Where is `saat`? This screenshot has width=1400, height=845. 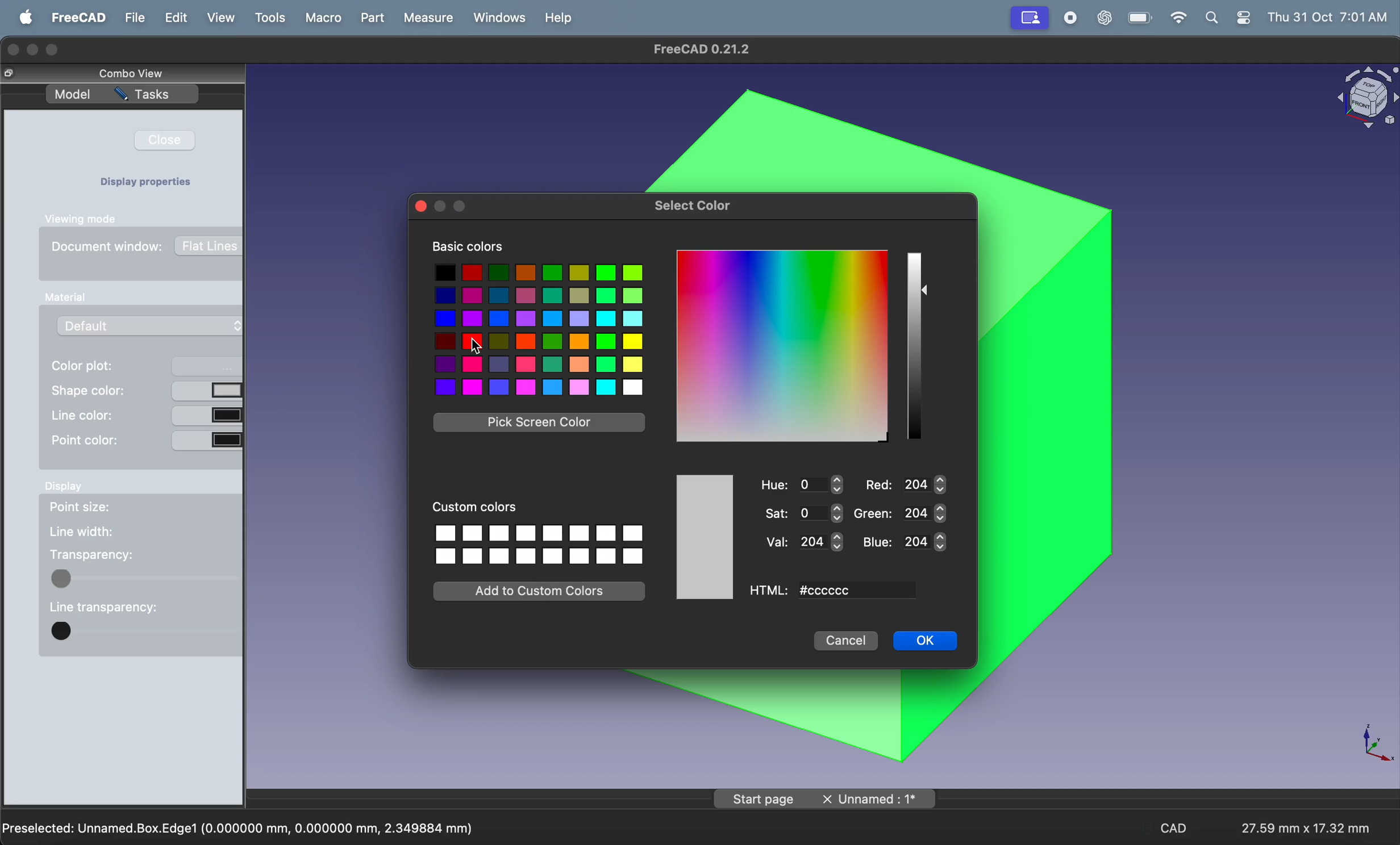 saat is located at coordinates (802, 513).